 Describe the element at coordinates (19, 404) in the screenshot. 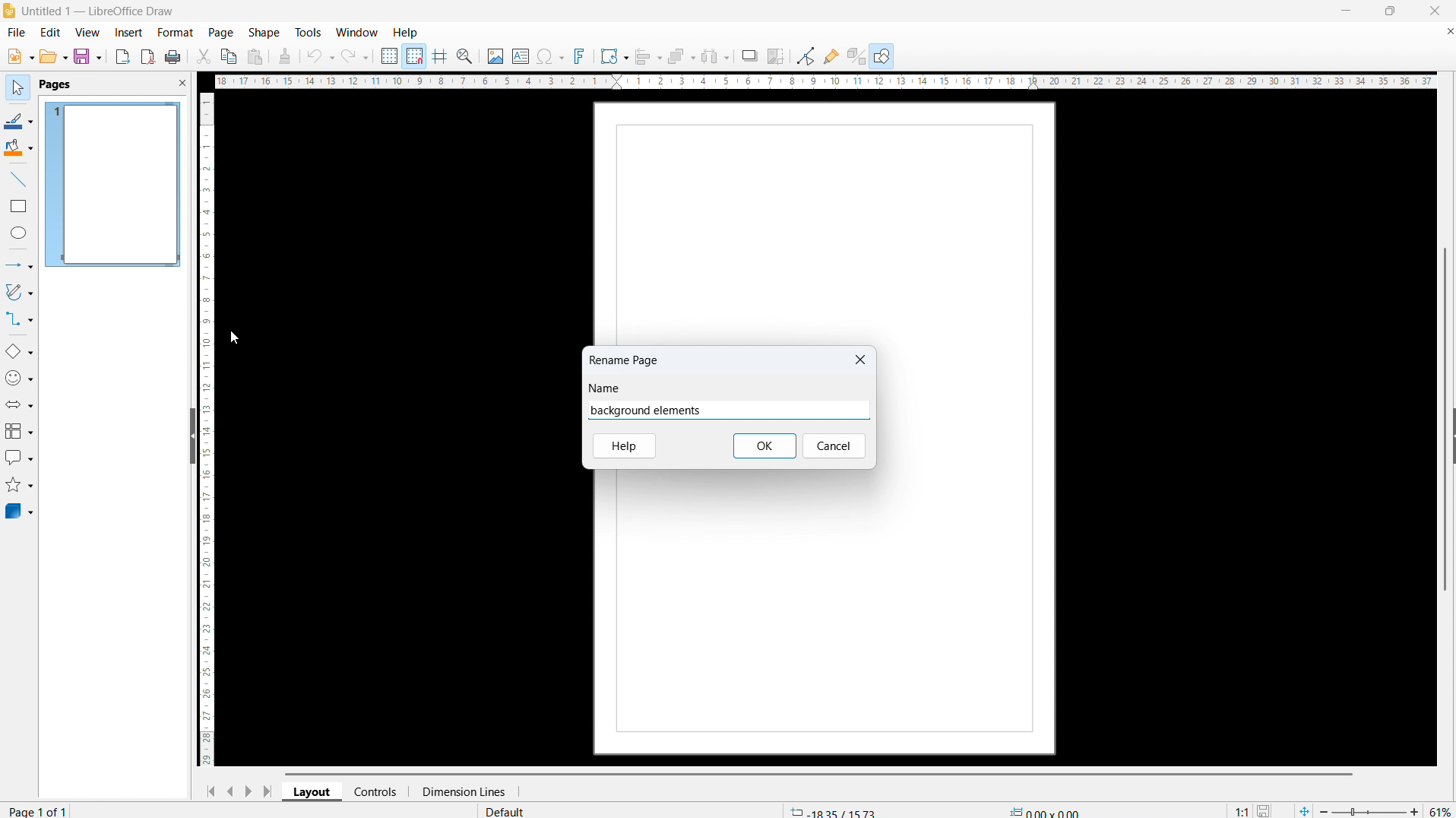

I see `block arrows` at that location.